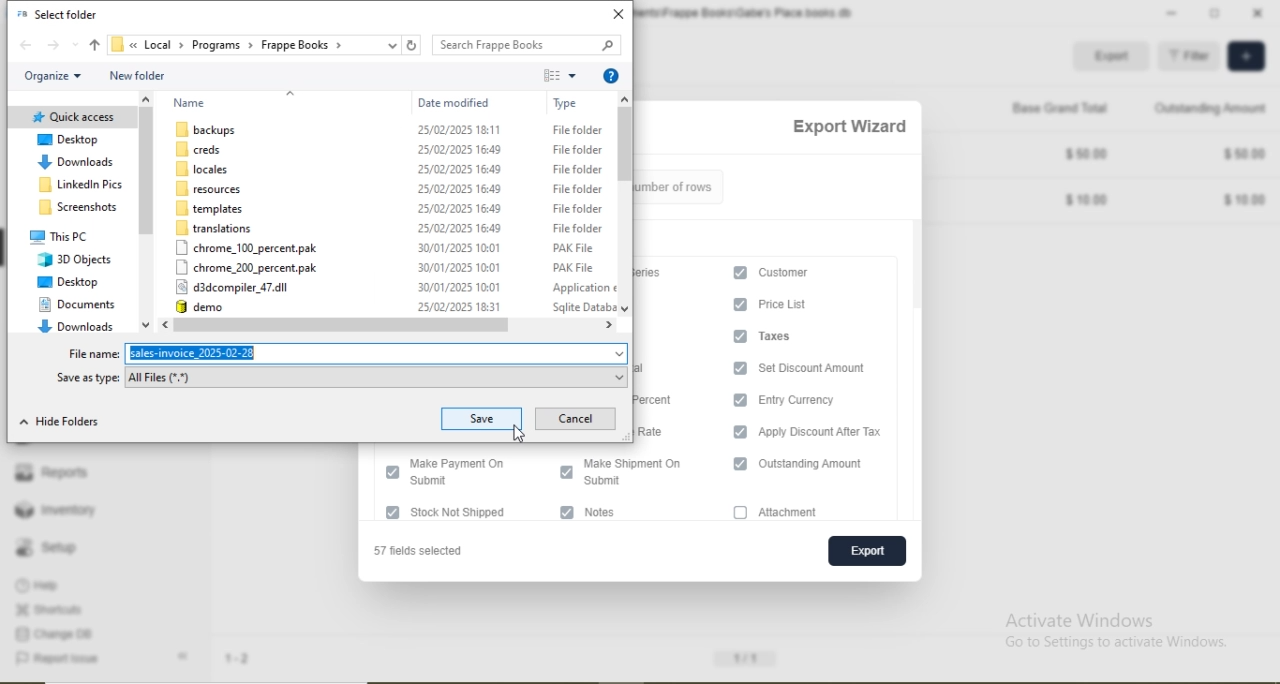  What do you see at coordinates (248, 267) in the screenshot?
I see `chrome 200 percent.pak` at bounding box center [248, 267].